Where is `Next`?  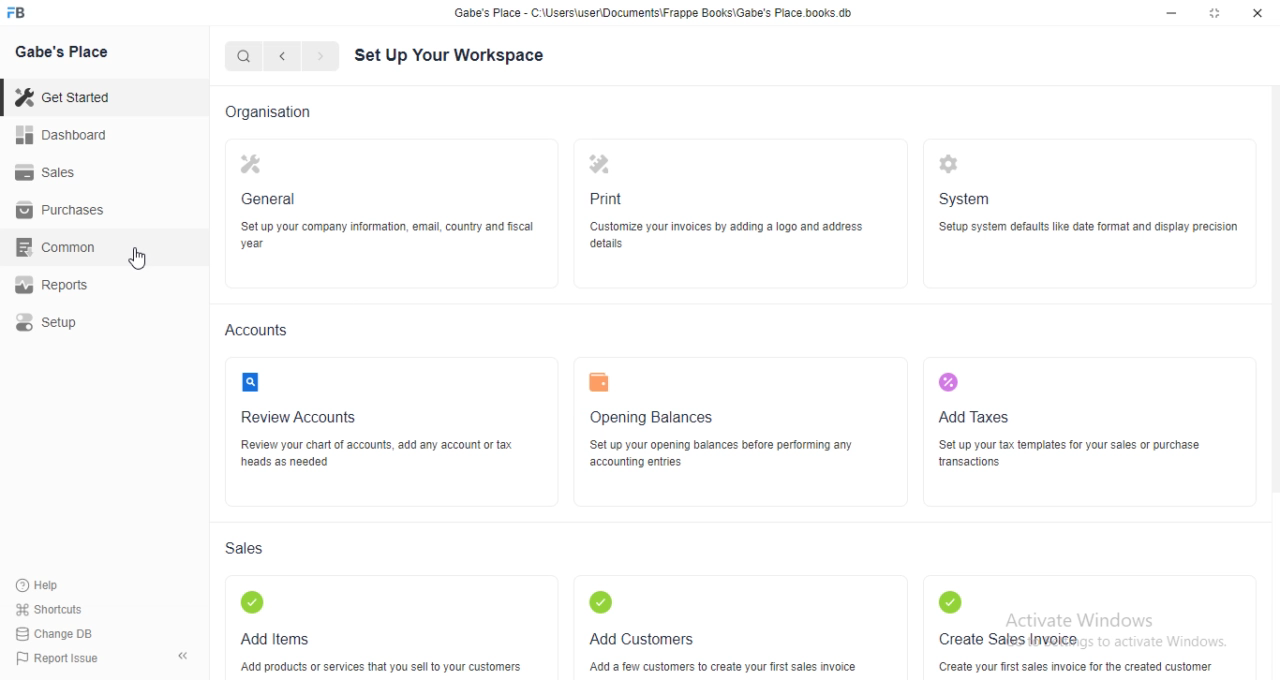 Next is located at coordinates (322, 55).